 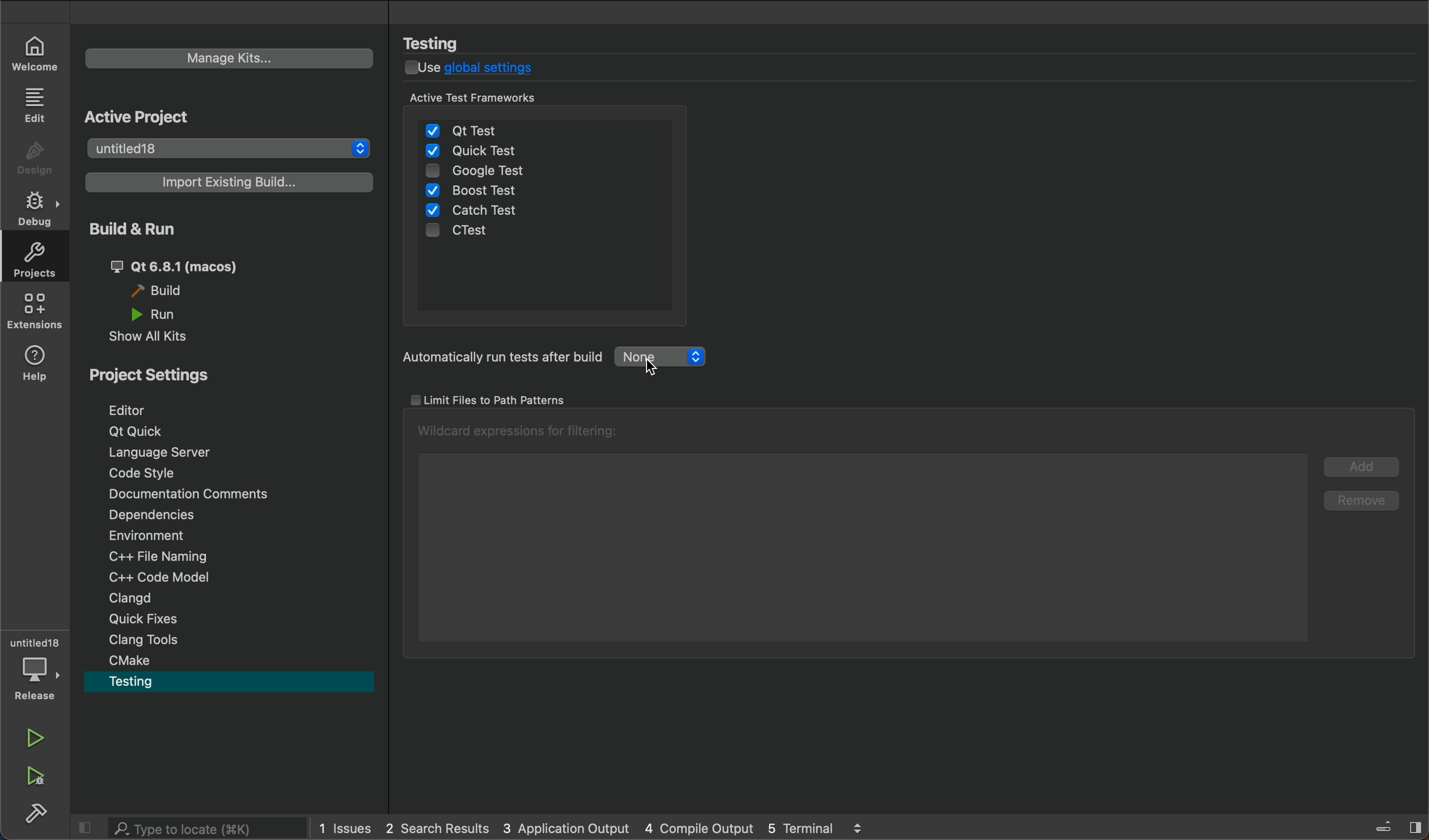 I want to click on show all kits, so click(x=161, y=338).